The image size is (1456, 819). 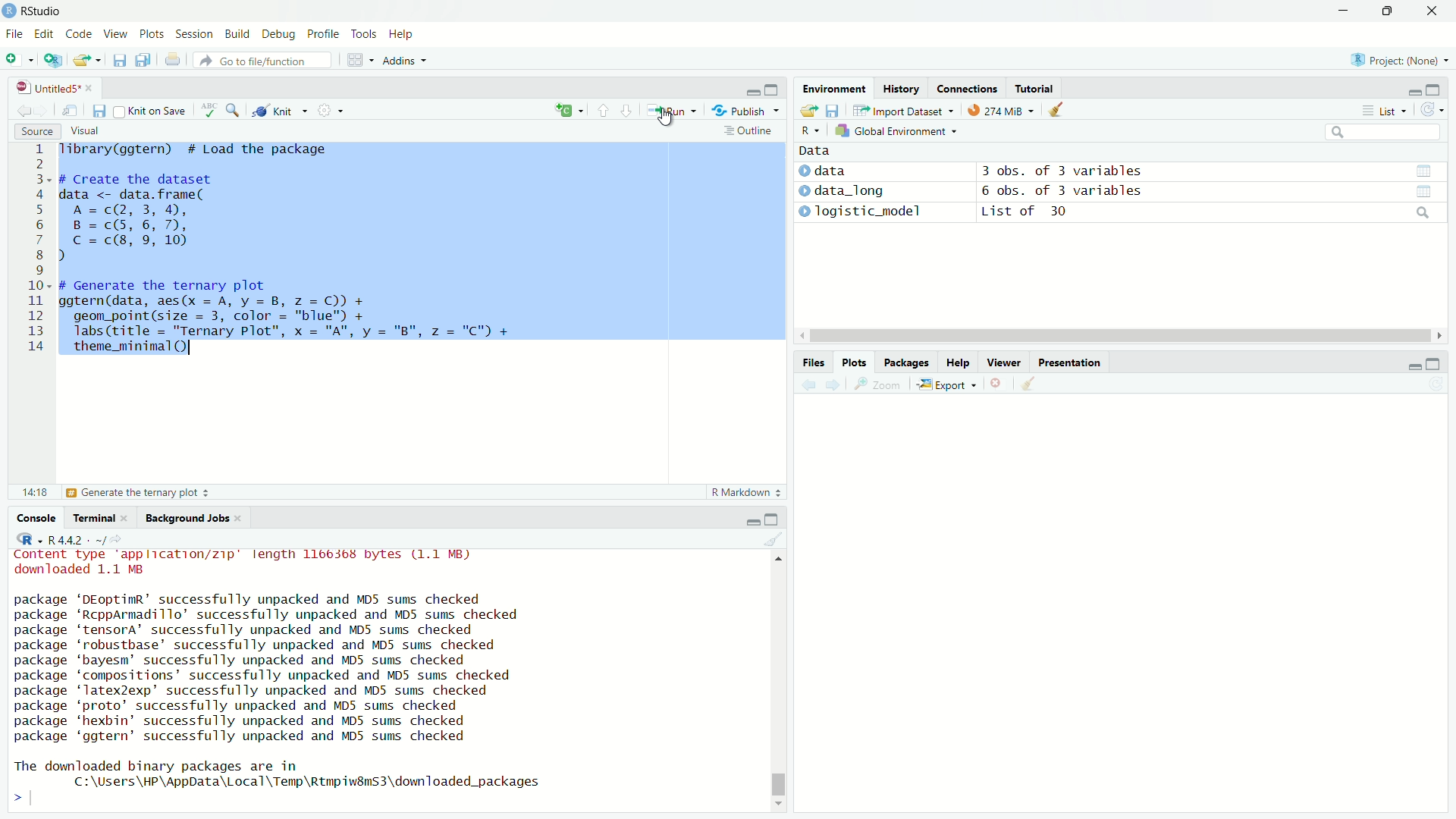 What do you see at coordinates (670, 121) in the screenshot?
I see `cursor` at bounding box center [670, 121].